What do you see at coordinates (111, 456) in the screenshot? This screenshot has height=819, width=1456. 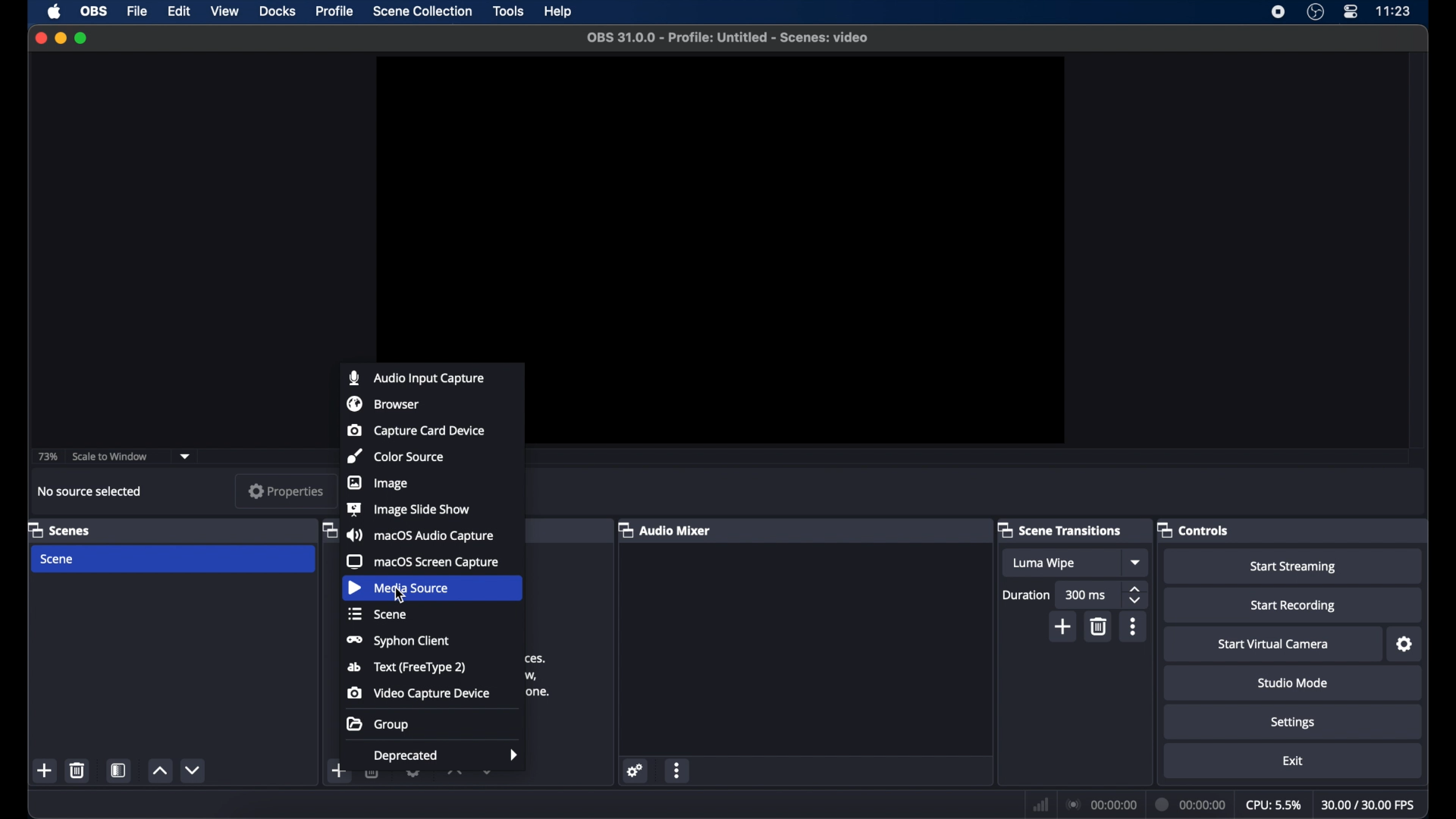 I see `scale to window` at bounding box center [111, 456].